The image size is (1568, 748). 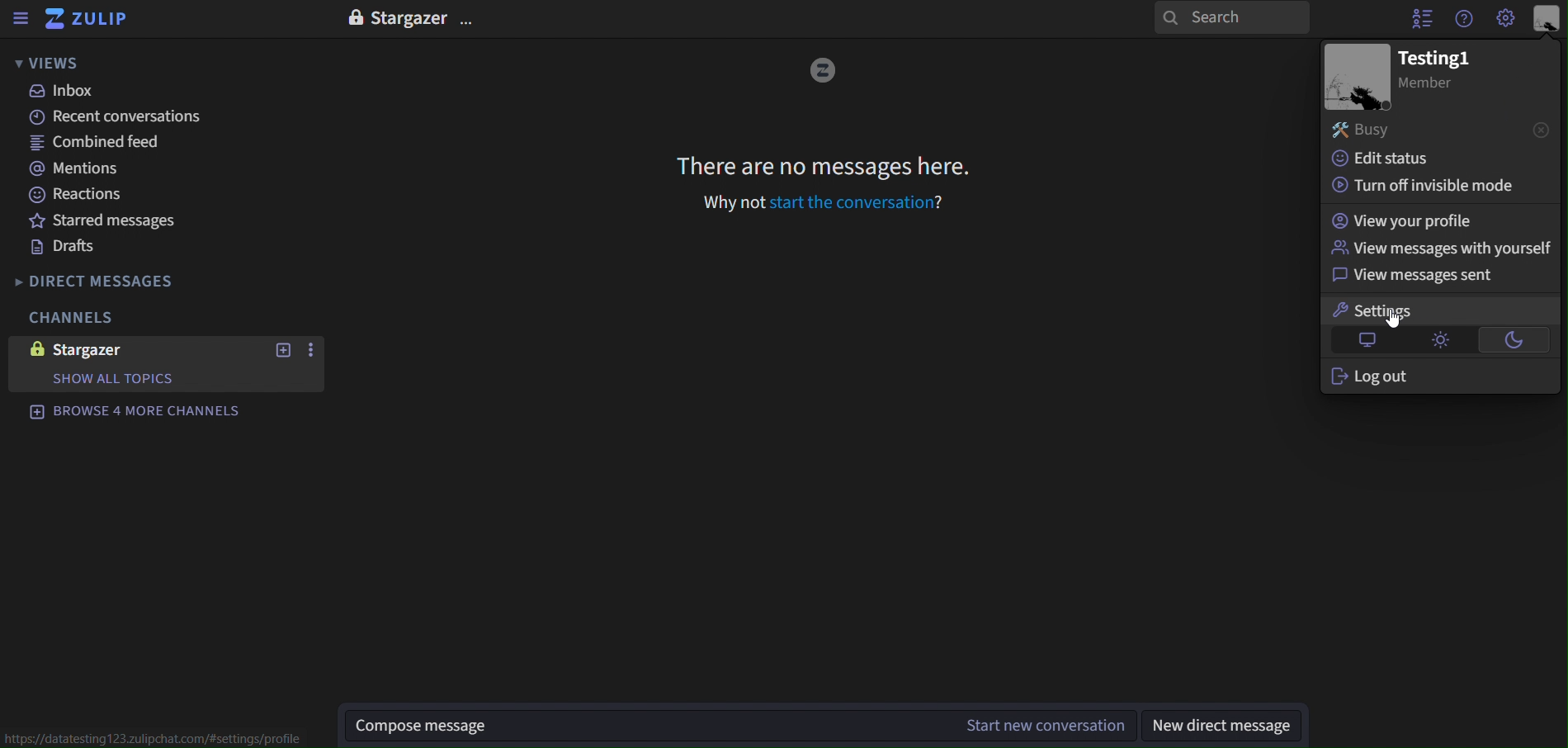 I want to click on stargazer, so click(x=80, y=352).